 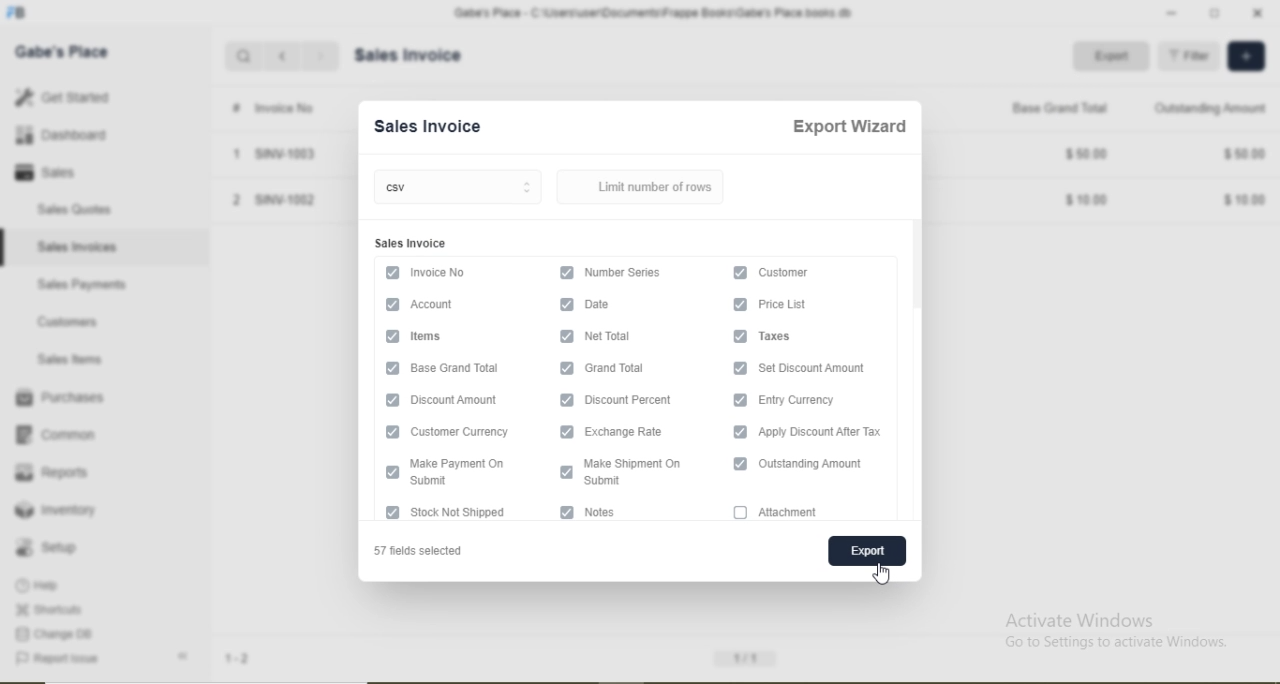 What do you see at coordinates (1116, 57) in the screenshot?
I see `Export` at bounding box center [1116, 57].